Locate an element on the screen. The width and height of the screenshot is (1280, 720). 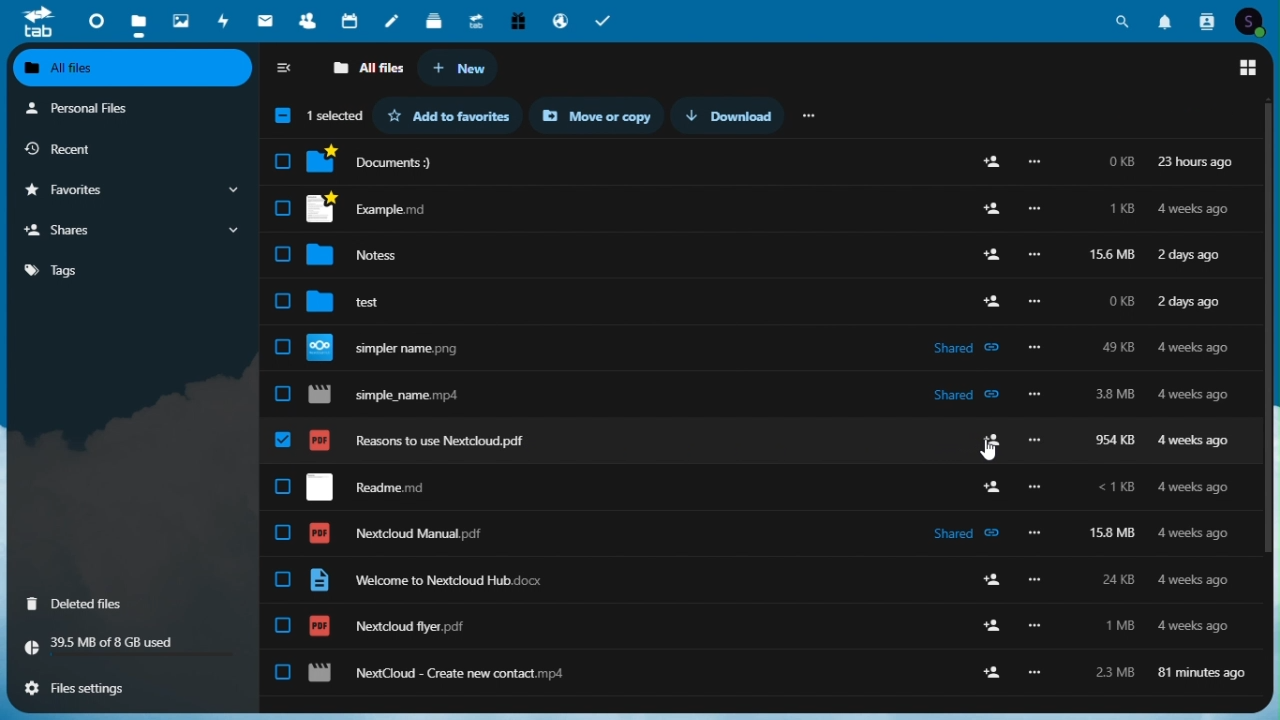
2 days ago is located at coordinates (1192, 255).